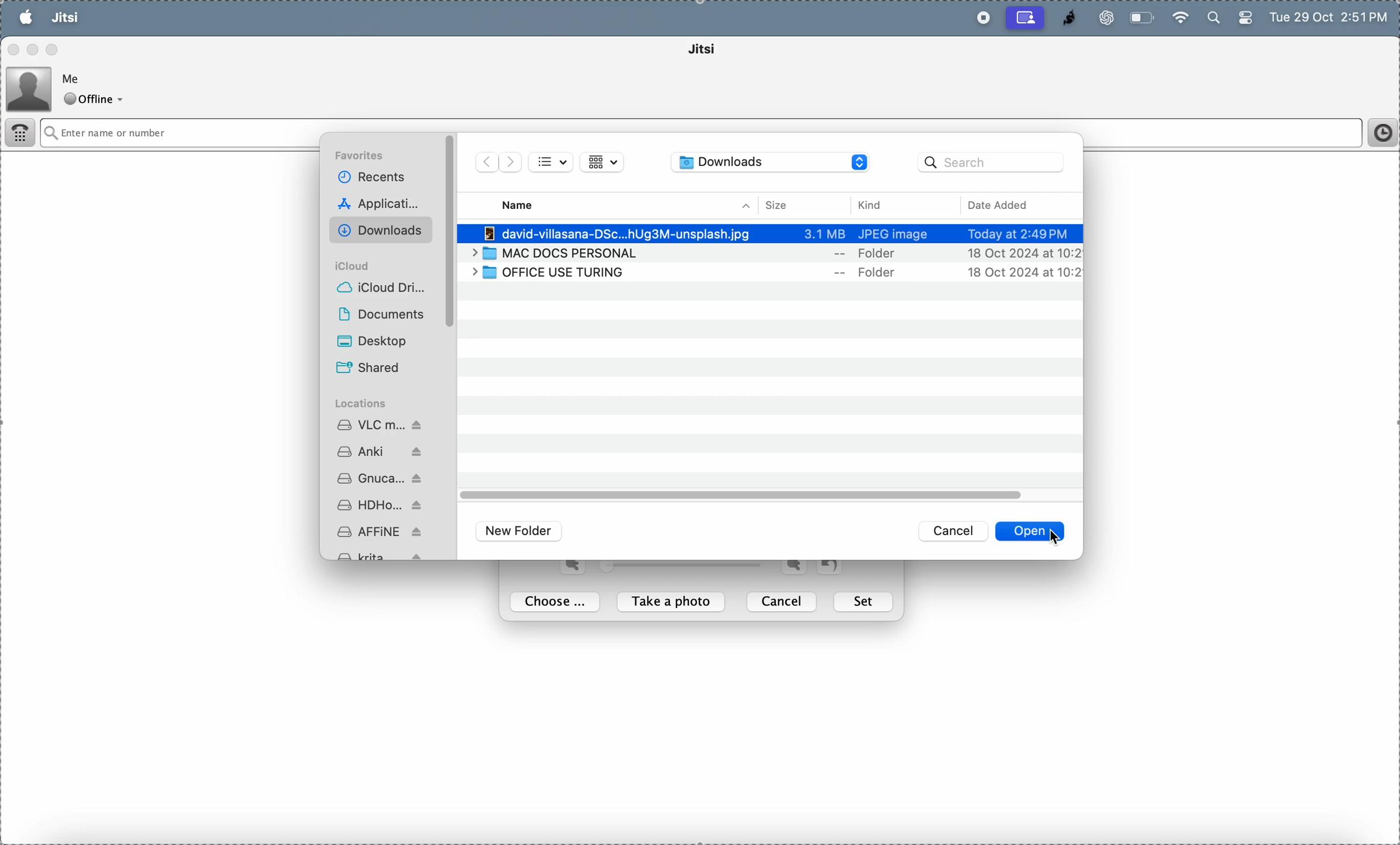 The width and height of the screenshot is (1400, 845). Describe the element at coordinates (205, 18) in the screenshot. I see `help` at that location.